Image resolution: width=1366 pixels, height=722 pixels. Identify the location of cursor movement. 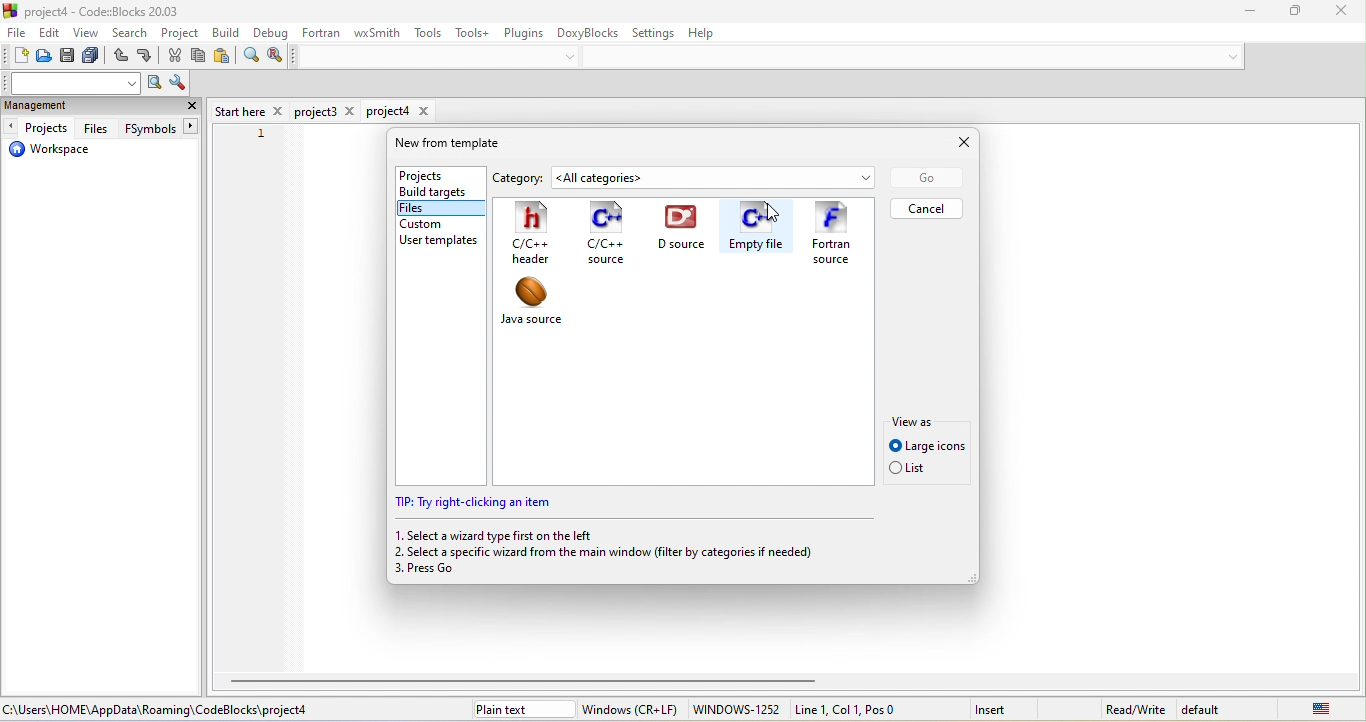
(773, 216).